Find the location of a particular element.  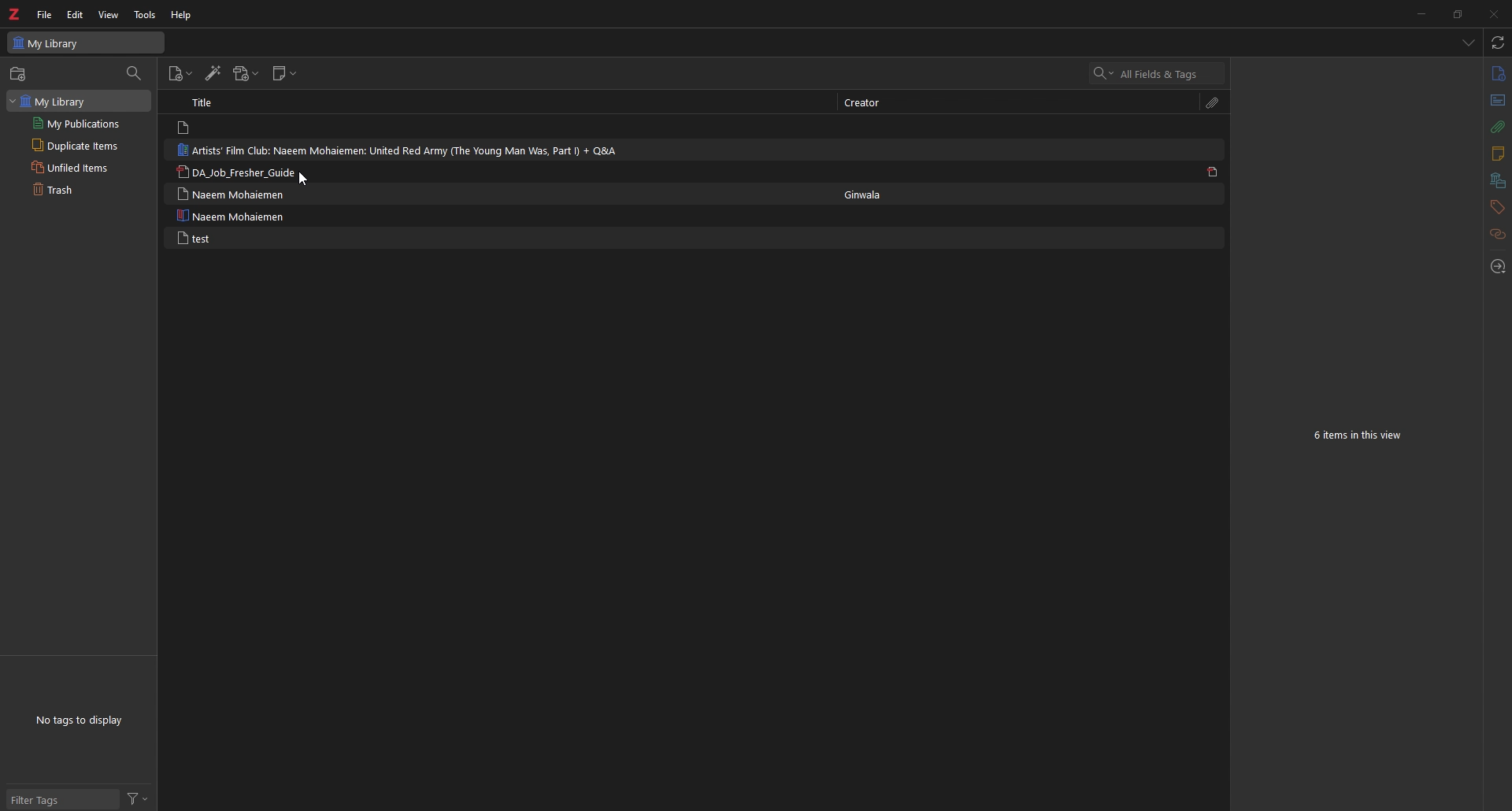

note is located at coordinates (253, 194).